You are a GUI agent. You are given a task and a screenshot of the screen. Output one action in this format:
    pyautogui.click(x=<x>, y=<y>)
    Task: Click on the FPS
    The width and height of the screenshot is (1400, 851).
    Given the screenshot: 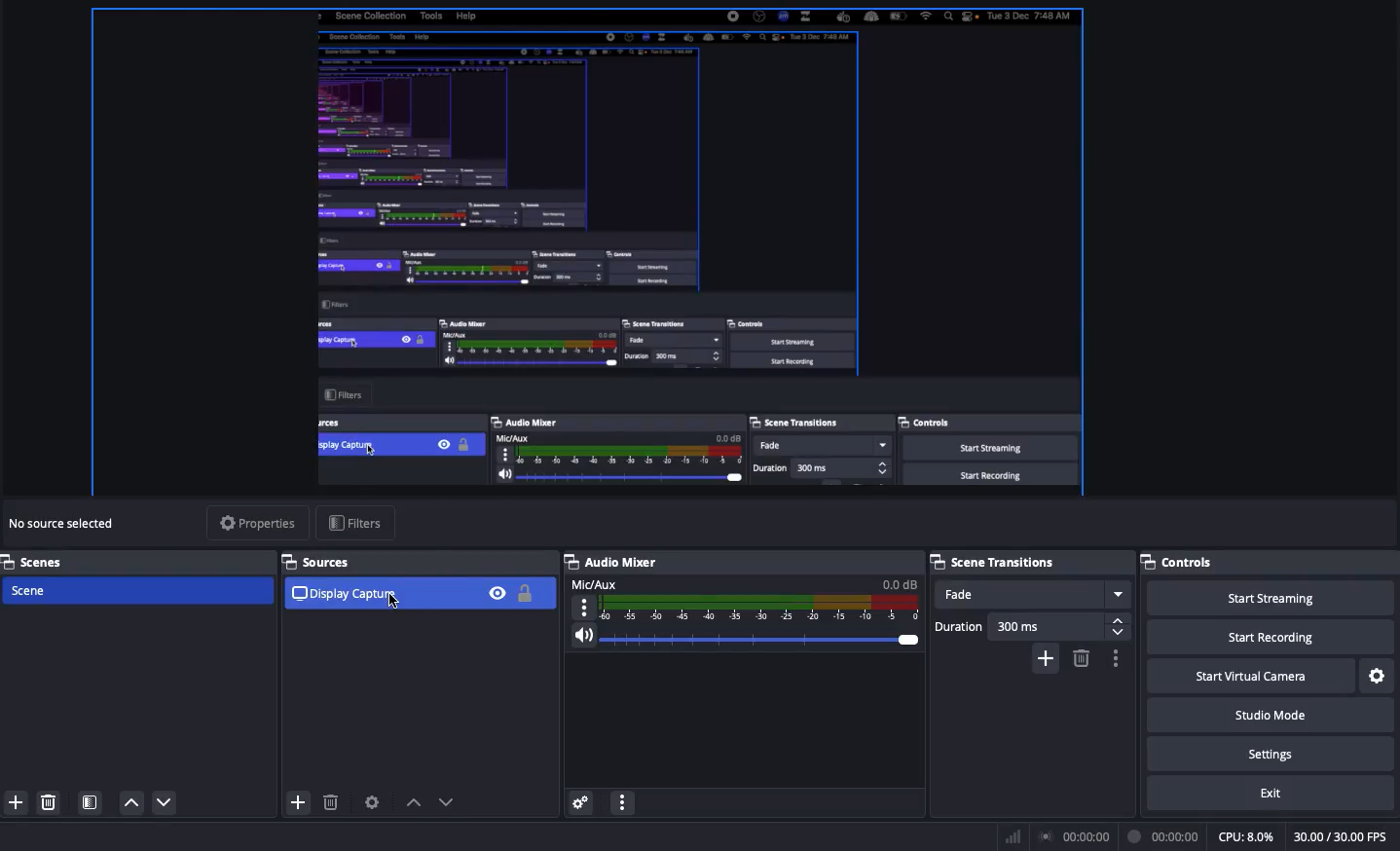 What is the action you would take?
    pyautogui.click(x=1344, y=837)
    